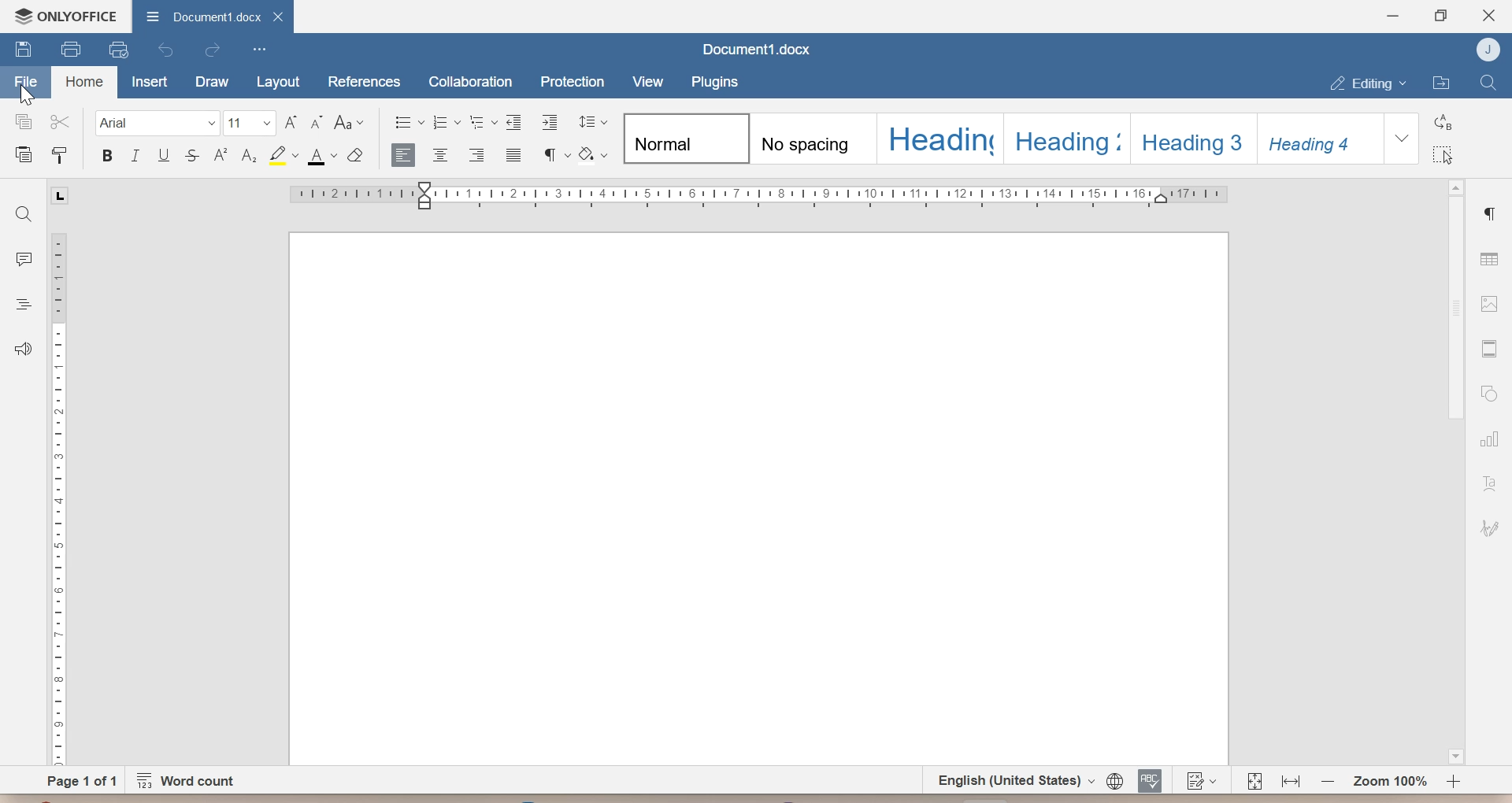 Image resolution: width=1512 pixels, height=803 pixels. What do you see at coordinates (278, 15) in the screenshot?
I see `close` at bounding box center [278, 15].